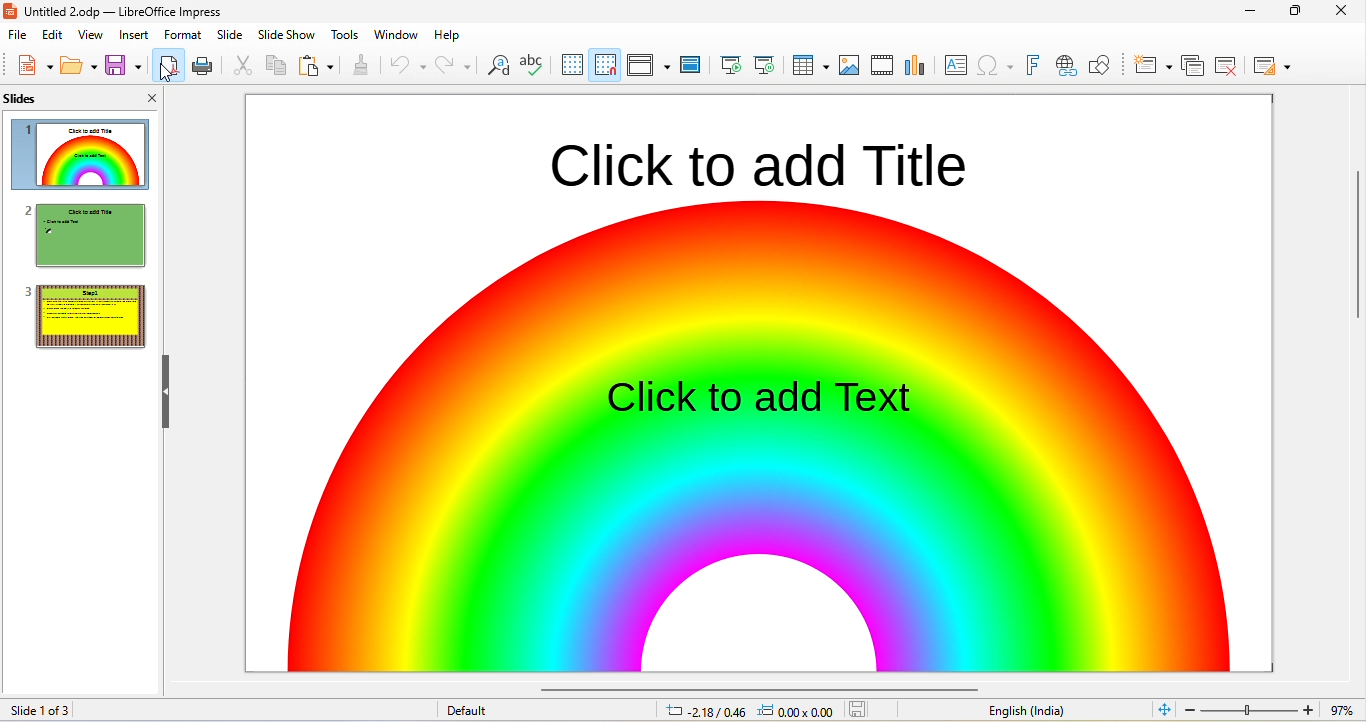 This screenshot has height=722, width=1366. I want to click on format, so click(184, 35).